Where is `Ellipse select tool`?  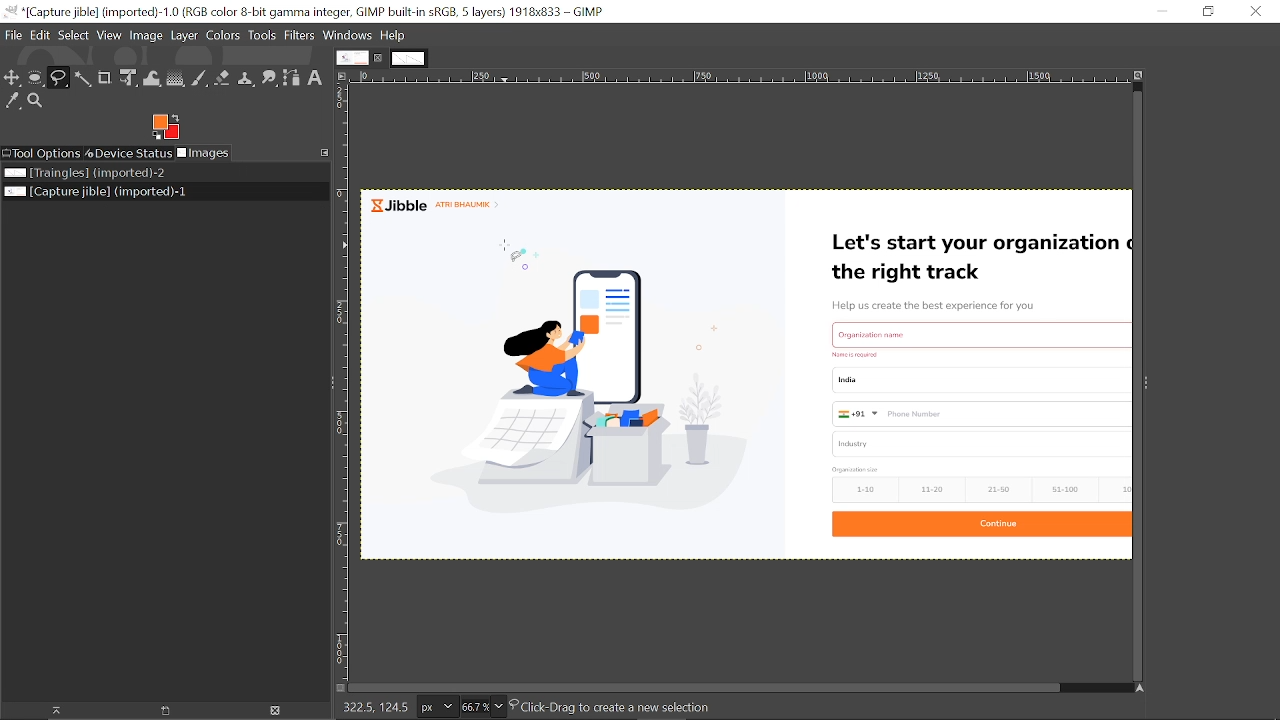
Ellipse select tool is located at coordinates (36, 79).